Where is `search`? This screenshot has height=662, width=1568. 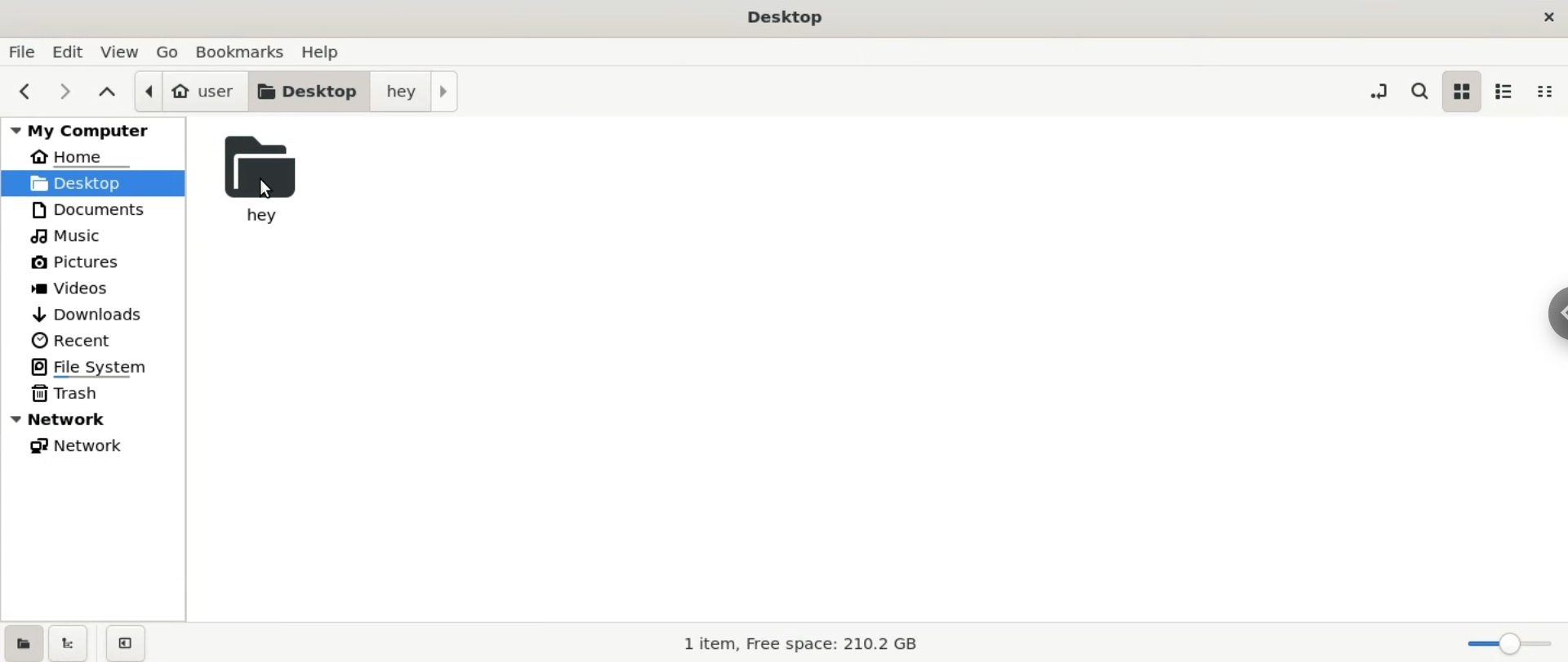 search is located at coordinates (1417, 95).